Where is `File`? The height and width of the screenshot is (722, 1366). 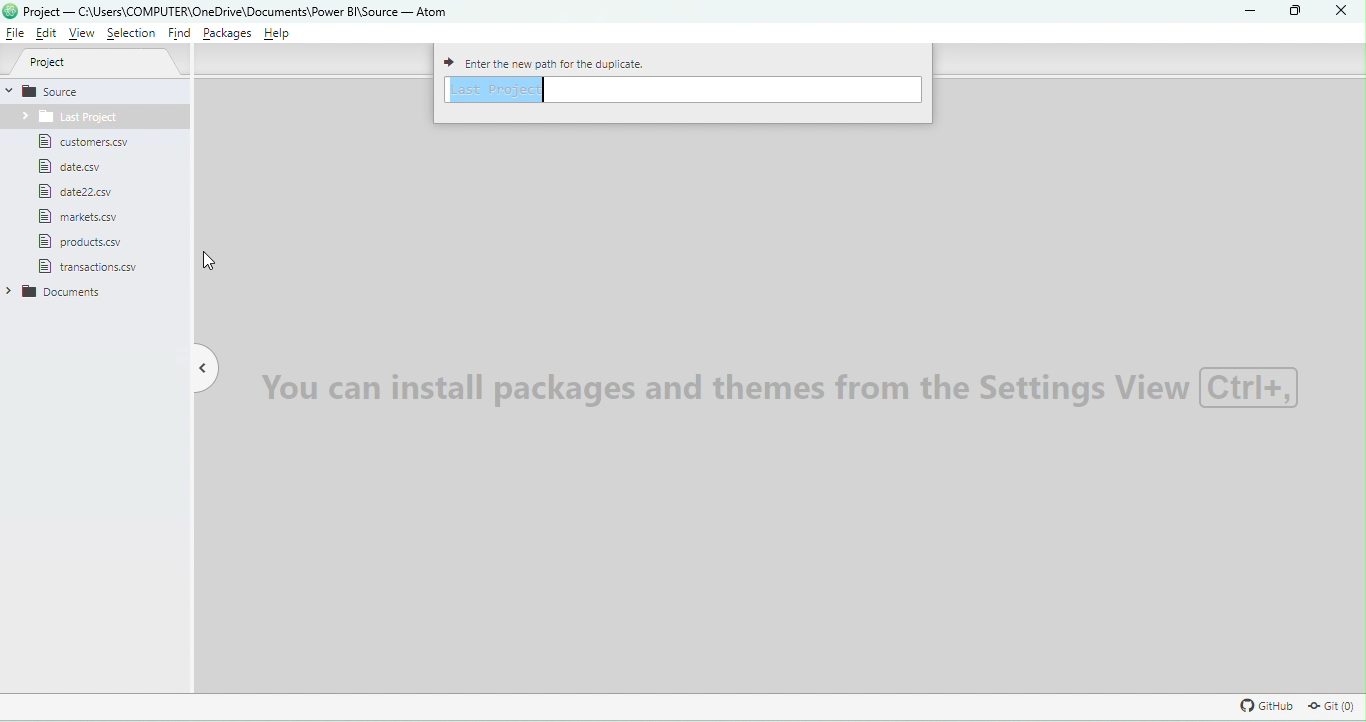
File is located at coordinates (95, 267).